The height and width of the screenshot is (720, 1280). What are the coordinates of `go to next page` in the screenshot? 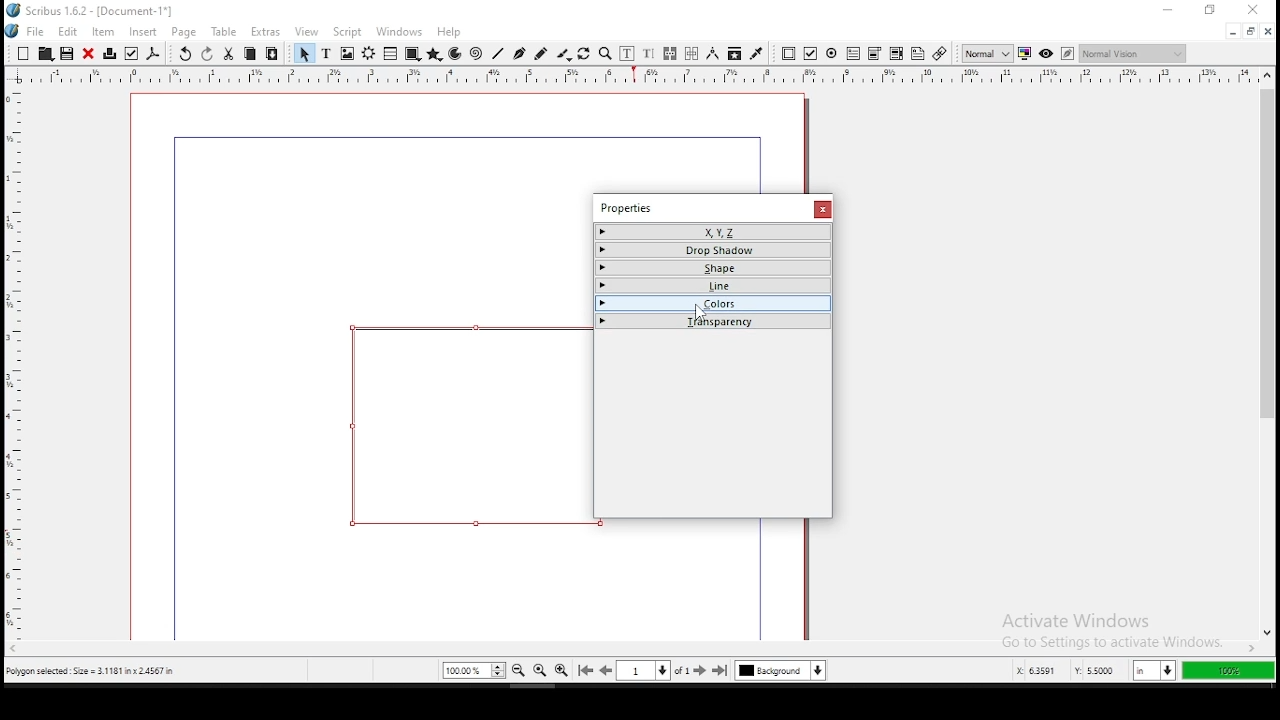 It's located at (701, 671).